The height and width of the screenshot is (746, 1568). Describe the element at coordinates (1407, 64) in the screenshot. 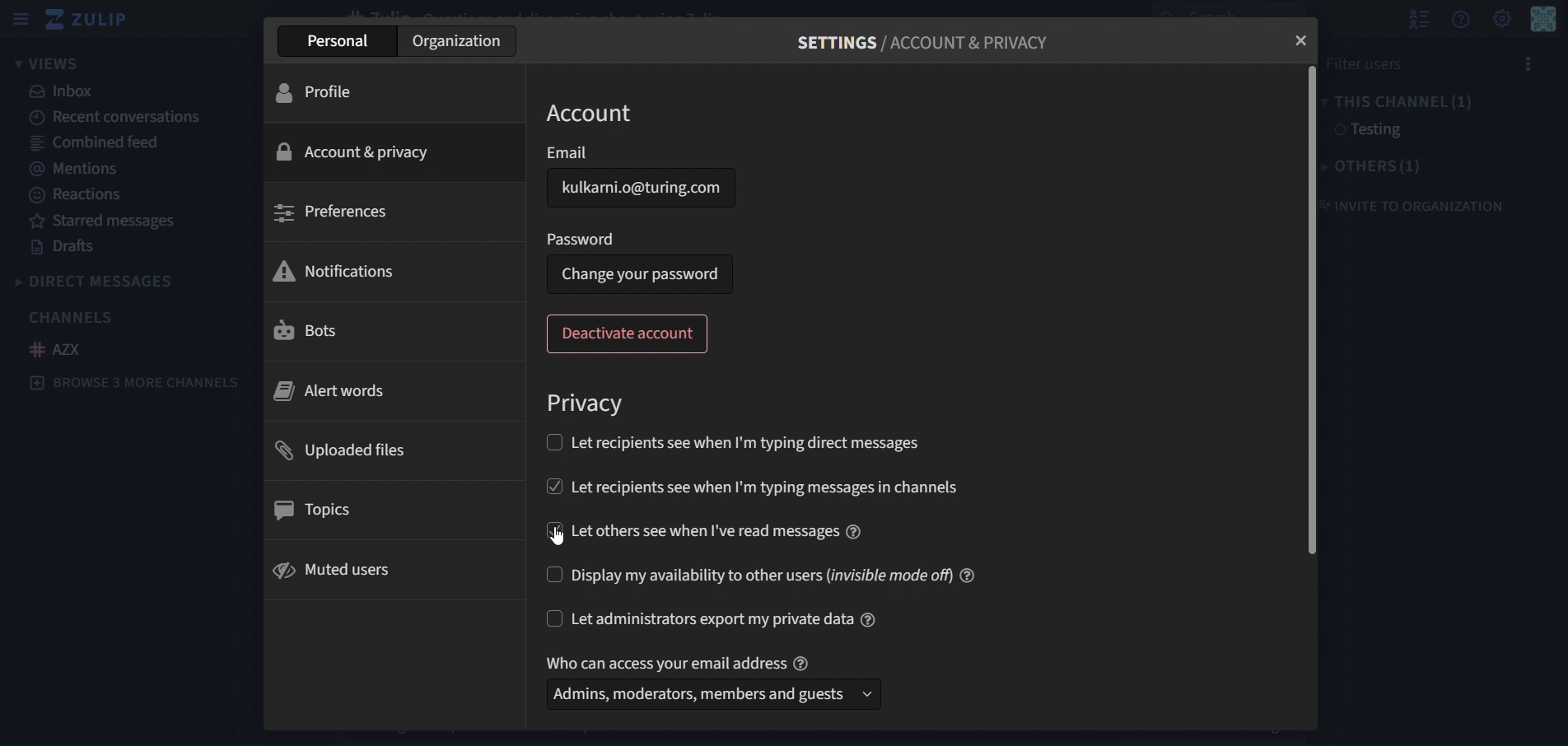

I see `filter users` at that location.